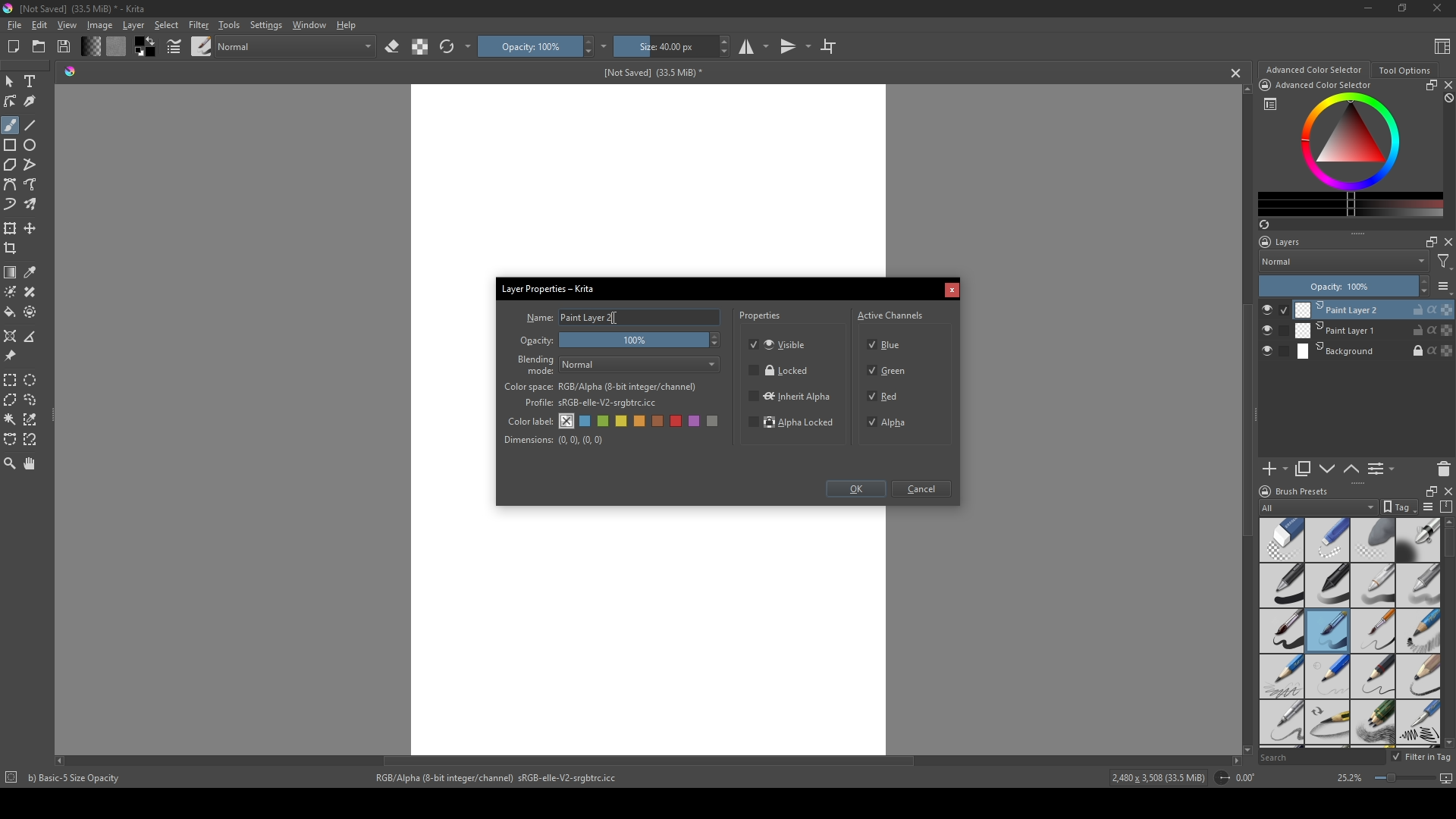  Describe the element at coordinates (83, 9) in the screenshot. I see `[Not Saved] (33.5 MiB) - Krita` at that location.